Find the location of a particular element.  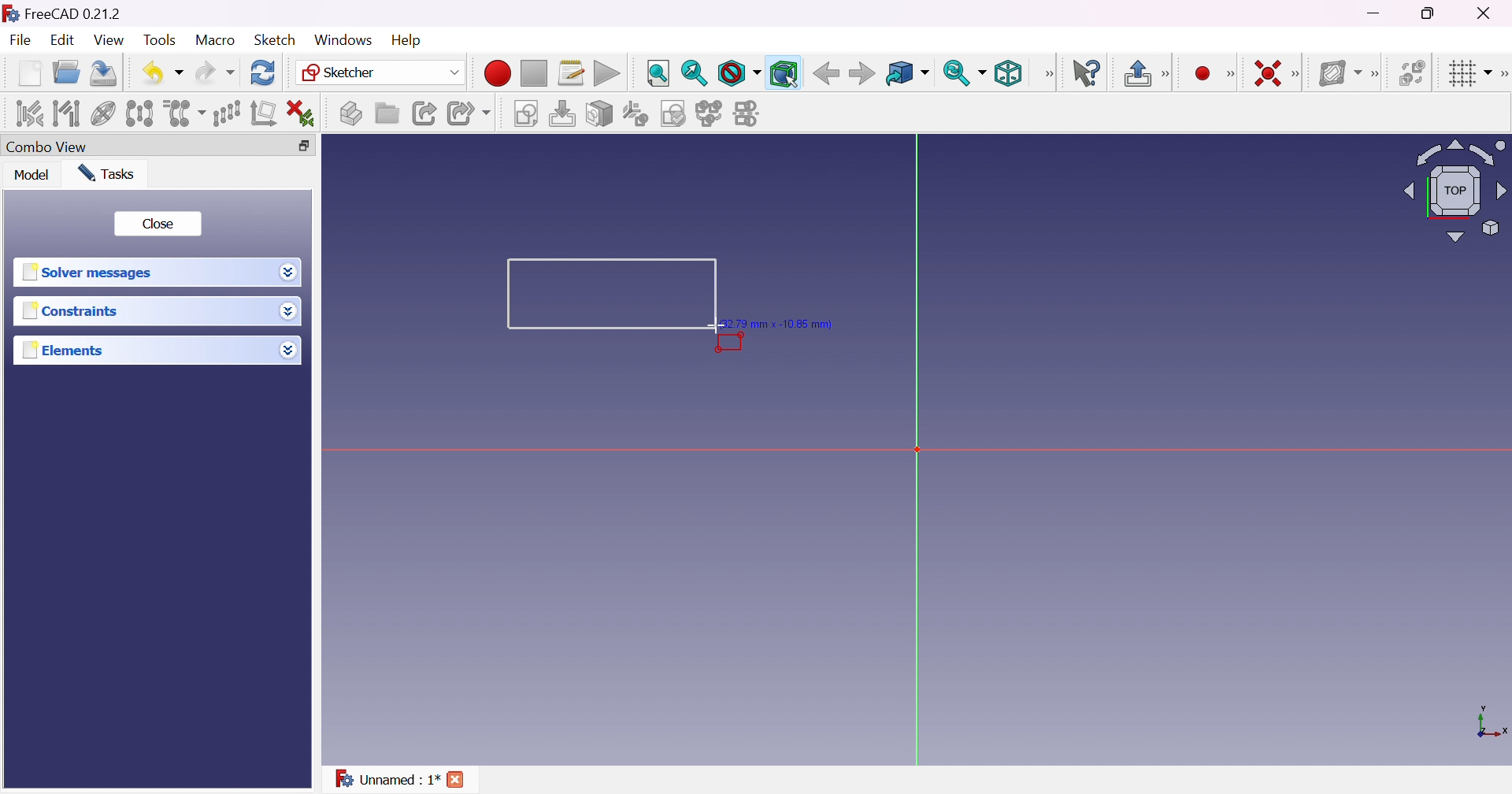

Merge sketches is located at coordinates (709, 114).